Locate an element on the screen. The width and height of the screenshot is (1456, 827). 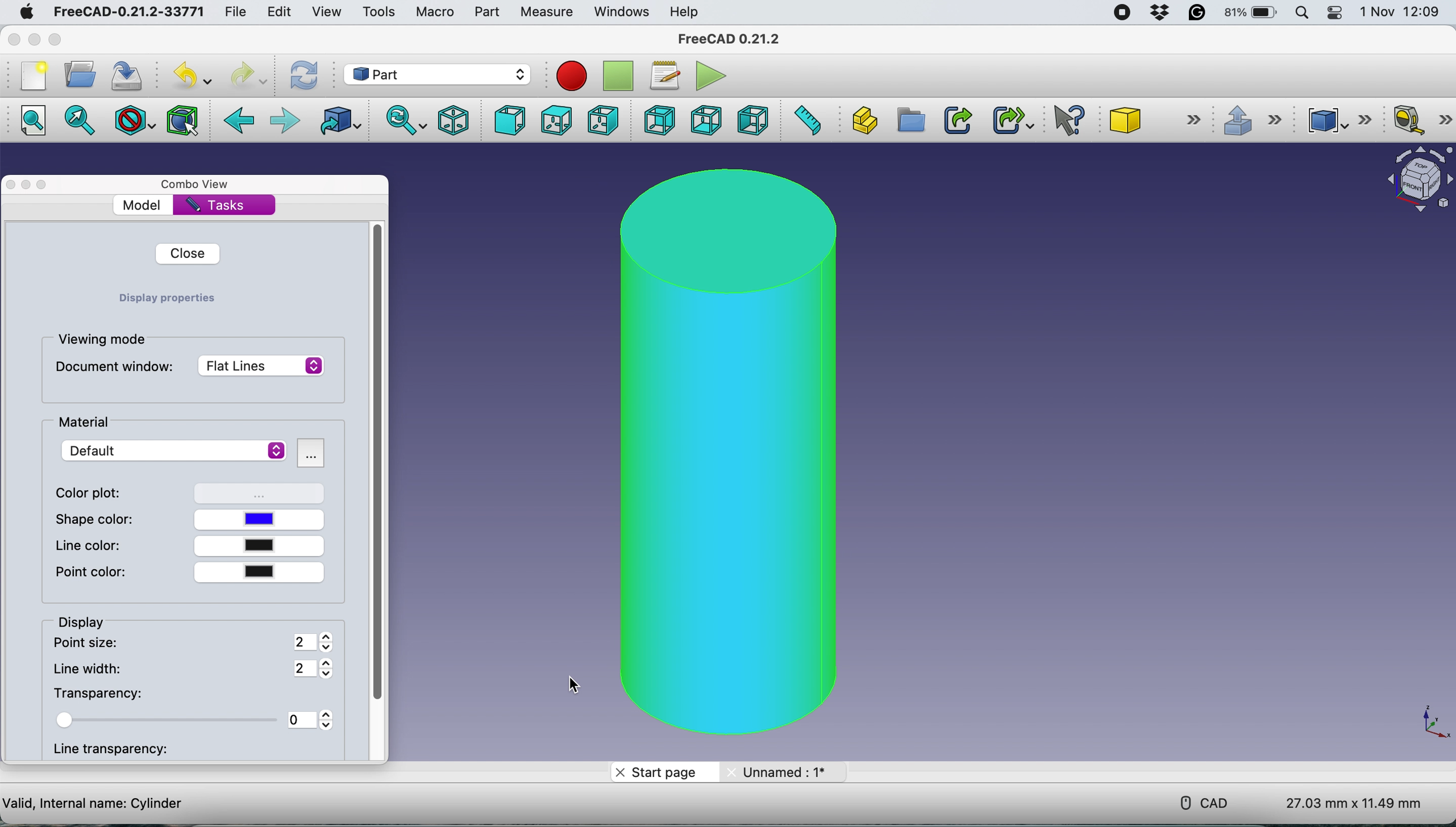
shape color is located at coordinates (168, 519).